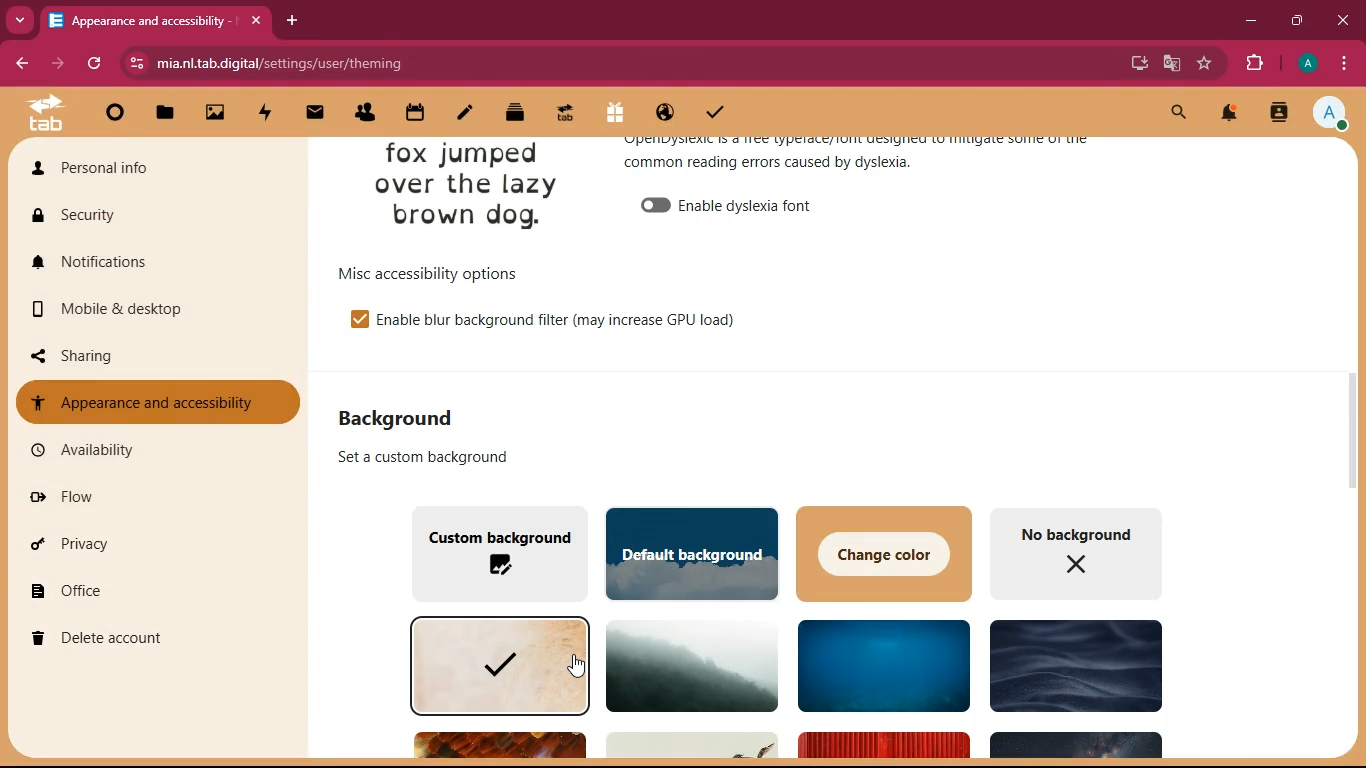 The image size is (1366, 768). I want to click on options, so click(435, 269).